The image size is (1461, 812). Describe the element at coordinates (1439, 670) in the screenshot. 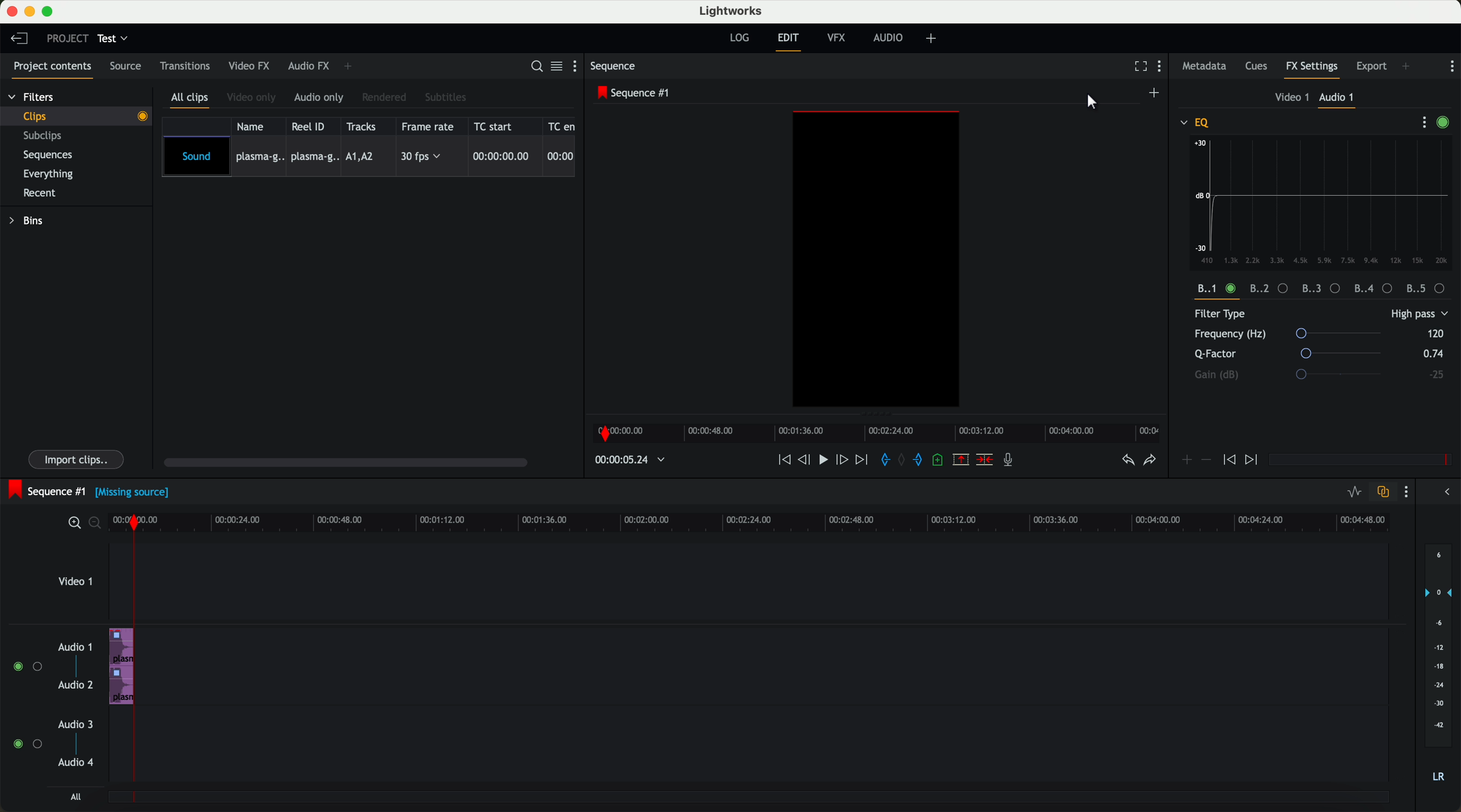

I see `audio output level` at that location.